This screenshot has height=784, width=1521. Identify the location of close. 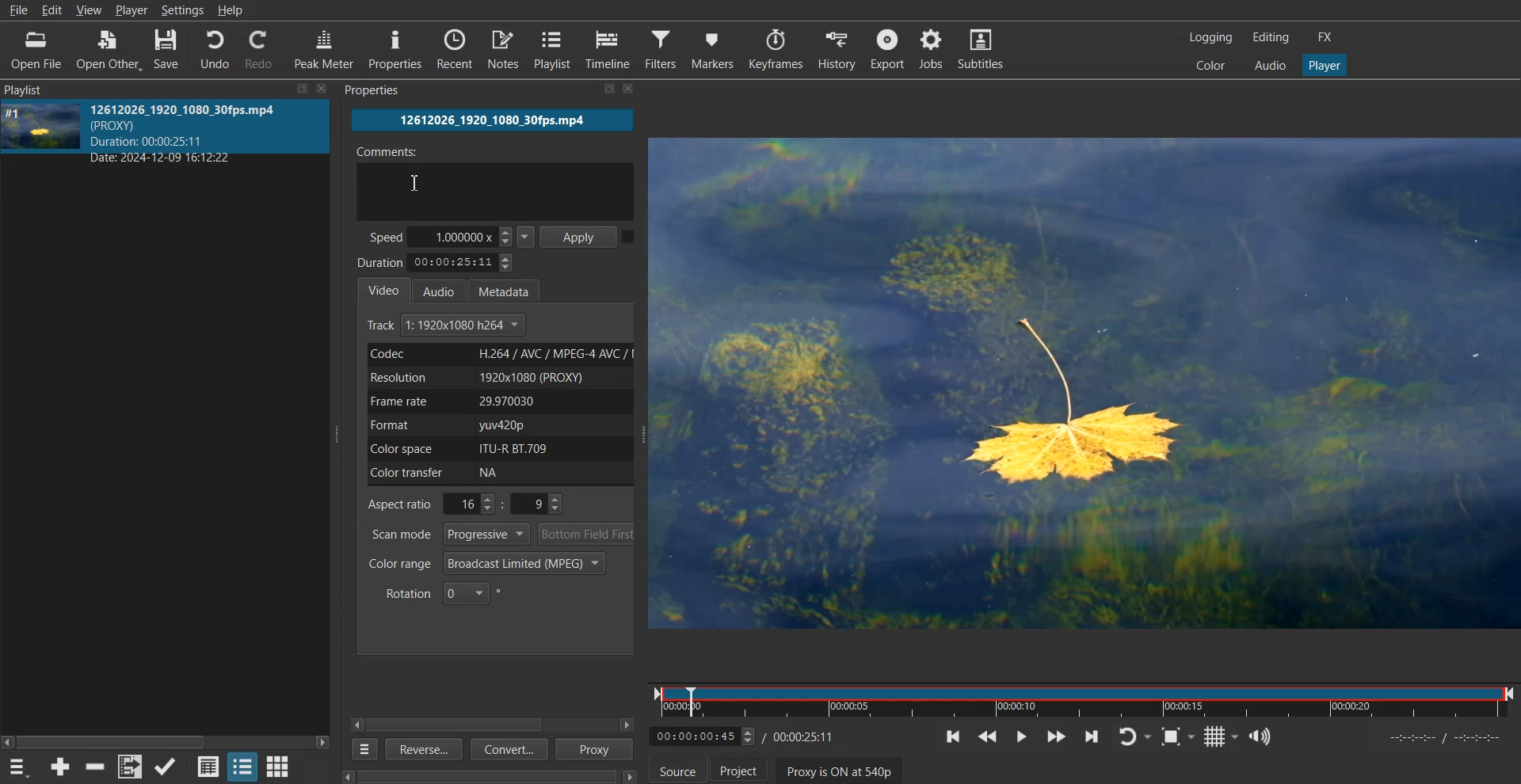
(322, 87).